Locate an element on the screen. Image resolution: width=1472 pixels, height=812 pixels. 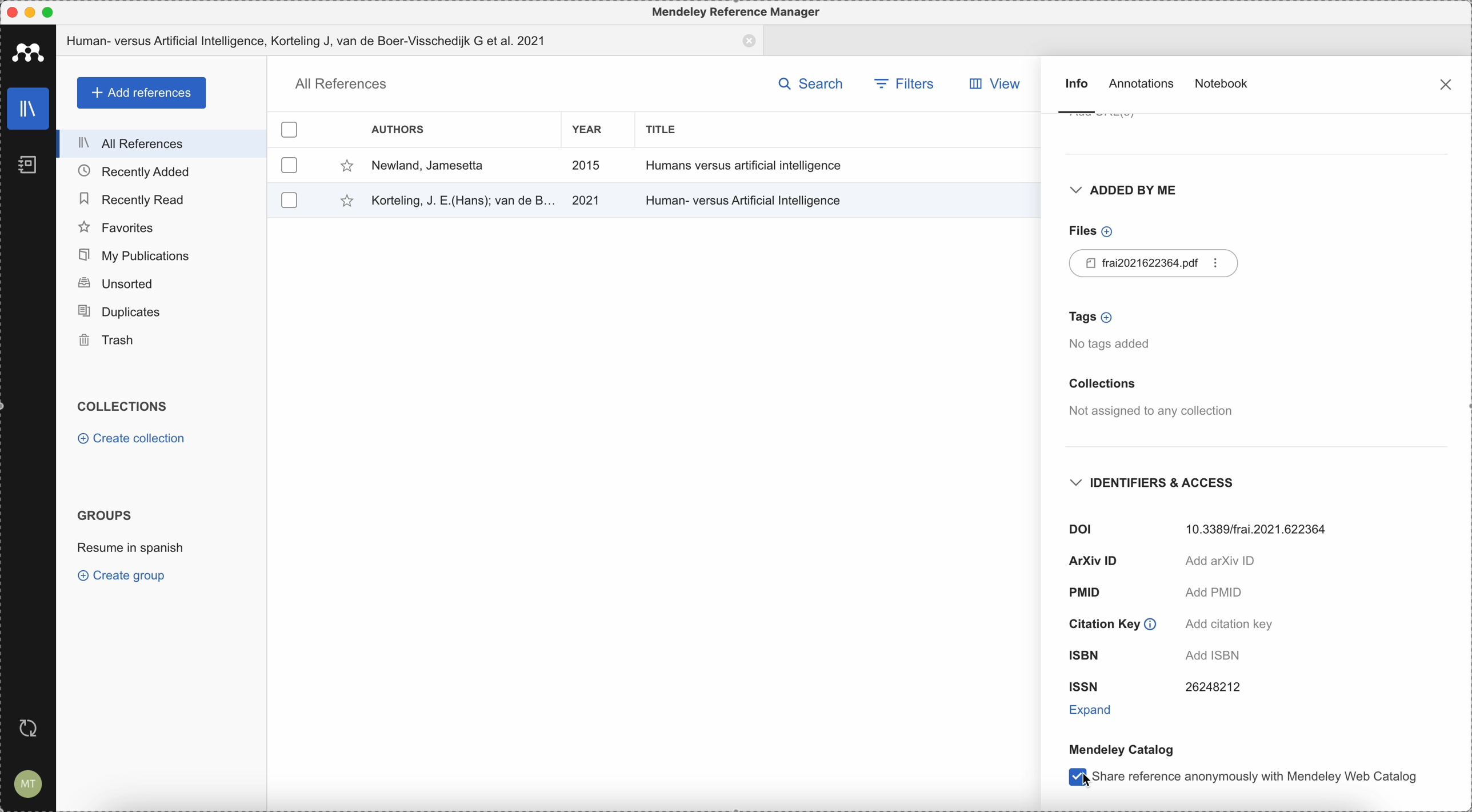
checkbox is located at coordinates (1069, 778).